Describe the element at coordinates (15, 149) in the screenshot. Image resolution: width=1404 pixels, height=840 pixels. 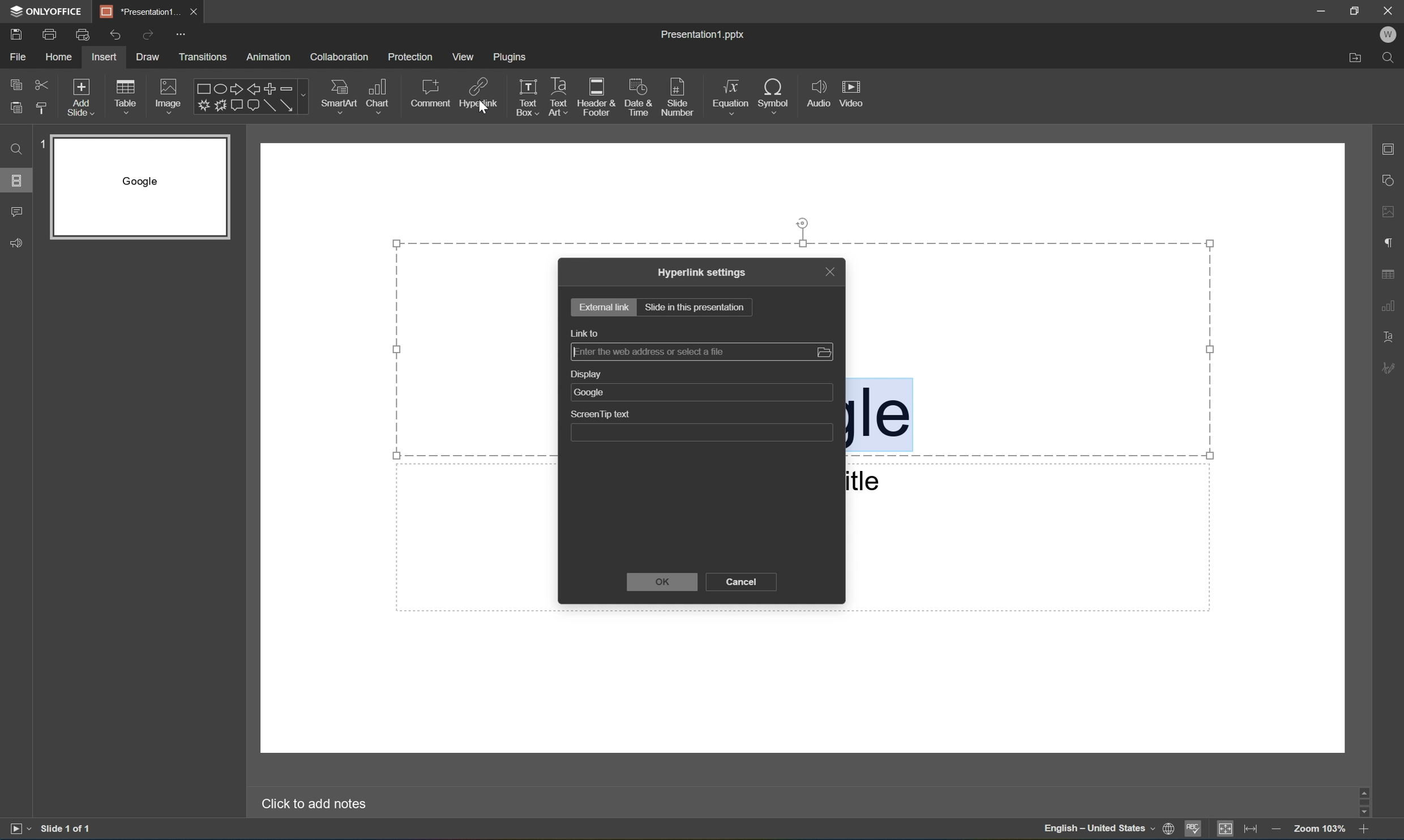
I see `Find` at that location.